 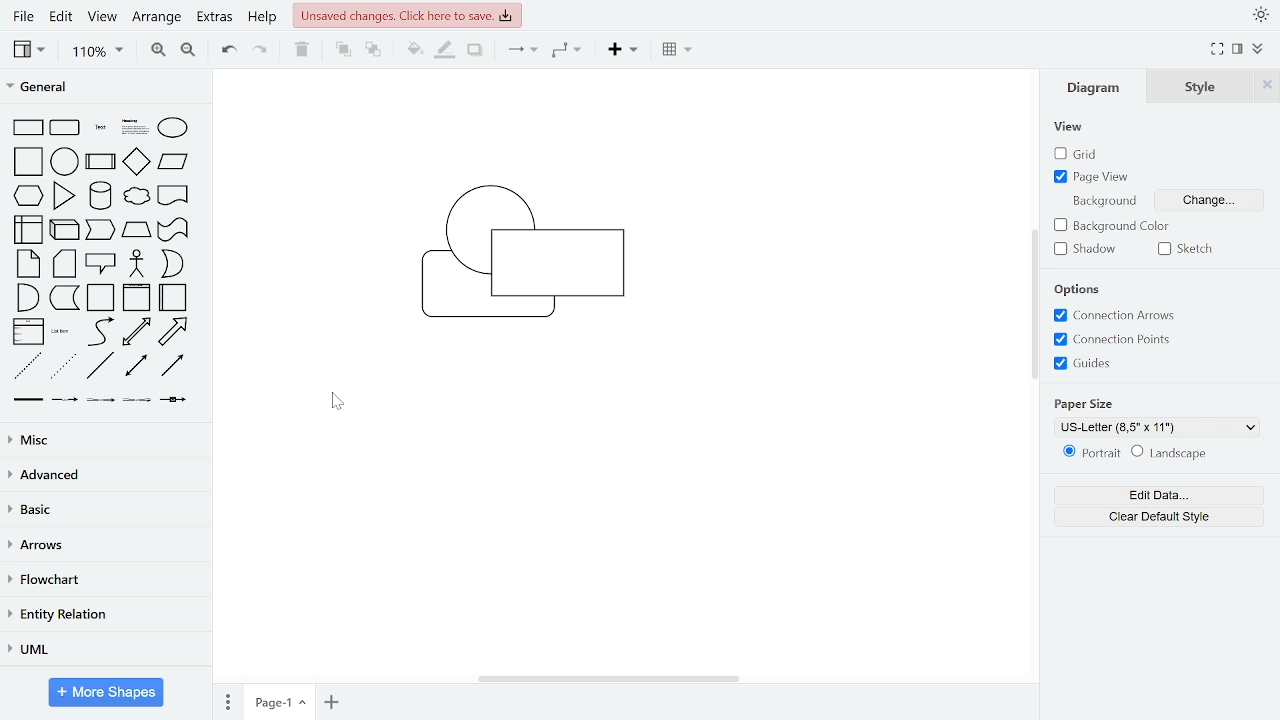 I want to click on trapezoid, so click(x=137, y=231).